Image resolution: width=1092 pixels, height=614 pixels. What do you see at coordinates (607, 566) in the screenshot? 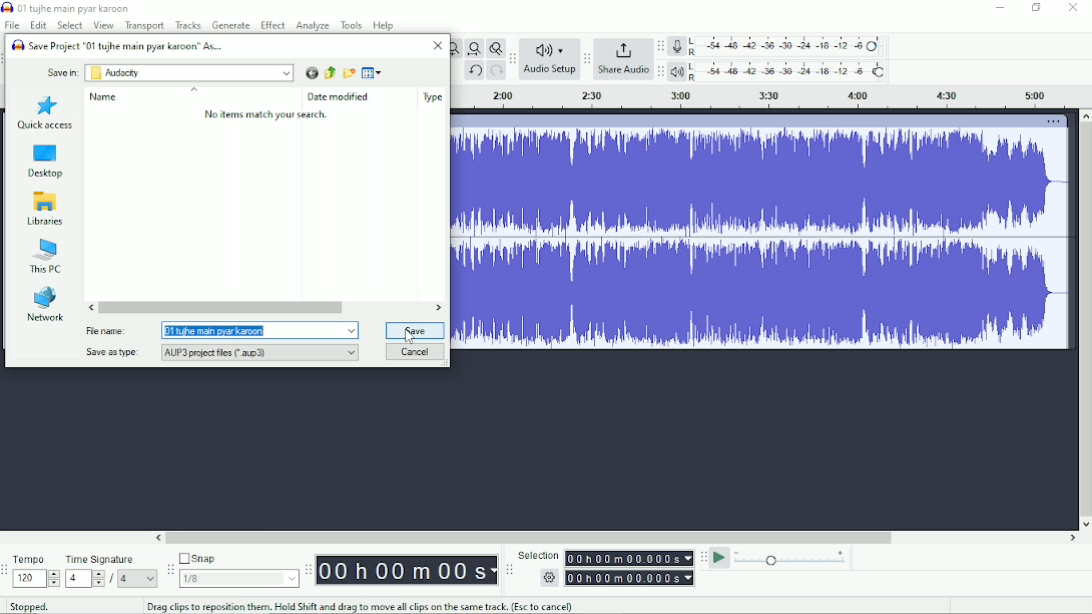
I see `Selection` at bounding box center [607, 566].